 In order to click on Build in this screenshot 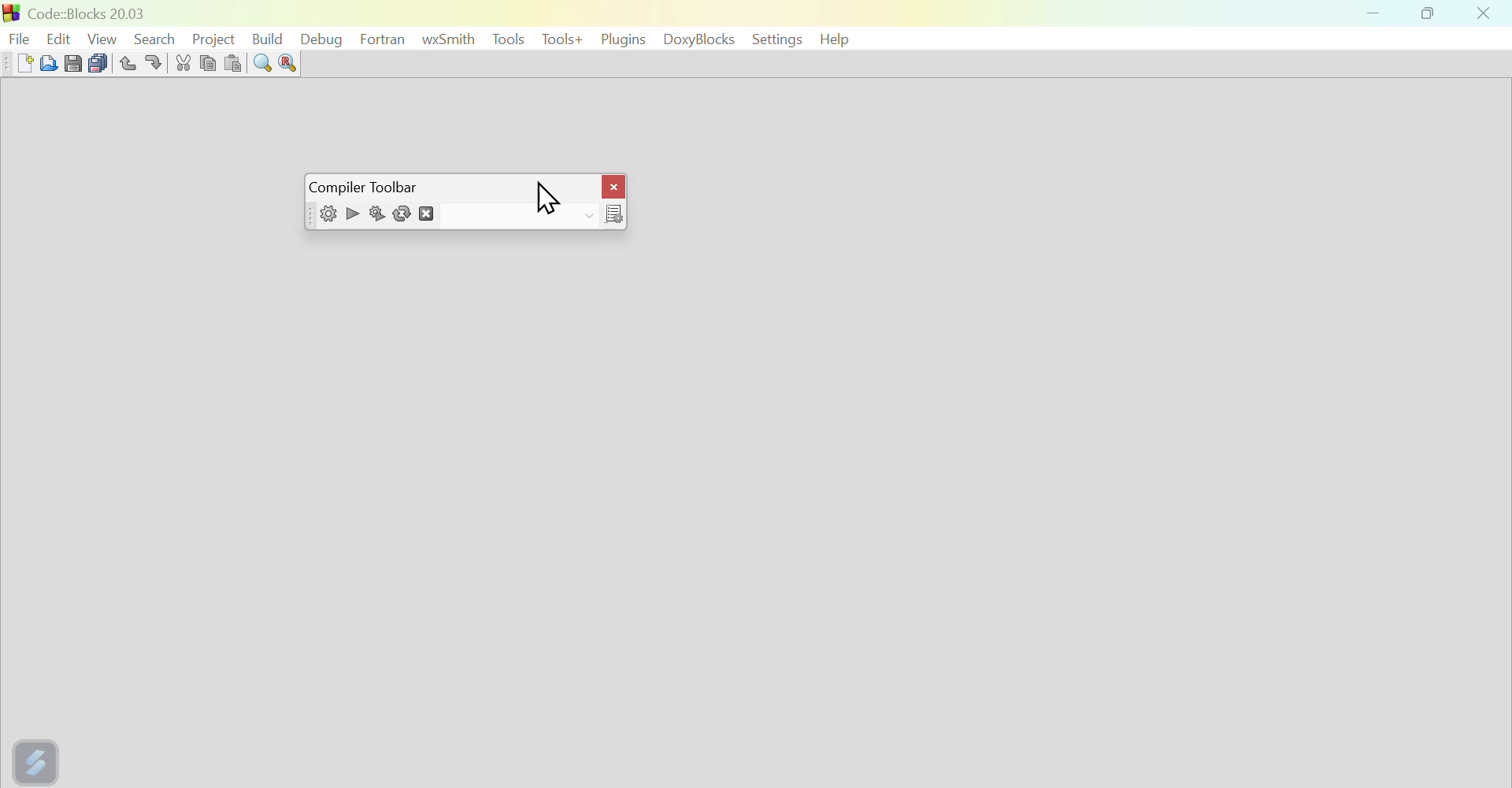, I will do `click(272, 35)`.